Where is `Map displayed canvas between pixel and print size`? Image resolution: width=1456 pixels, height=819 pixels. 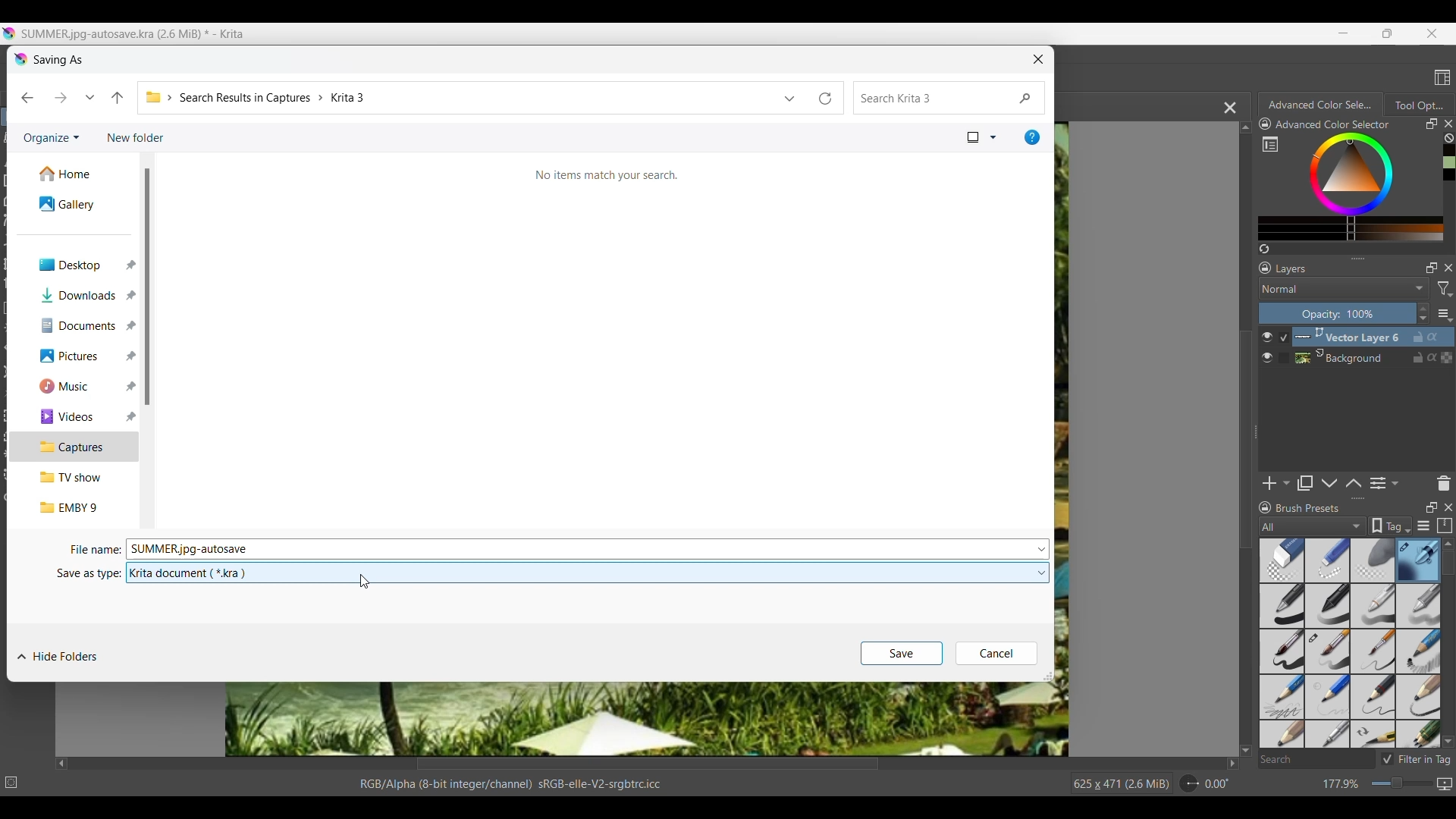 Map displayed canvas between pixel and print size is located at coordinates (1444, 784).